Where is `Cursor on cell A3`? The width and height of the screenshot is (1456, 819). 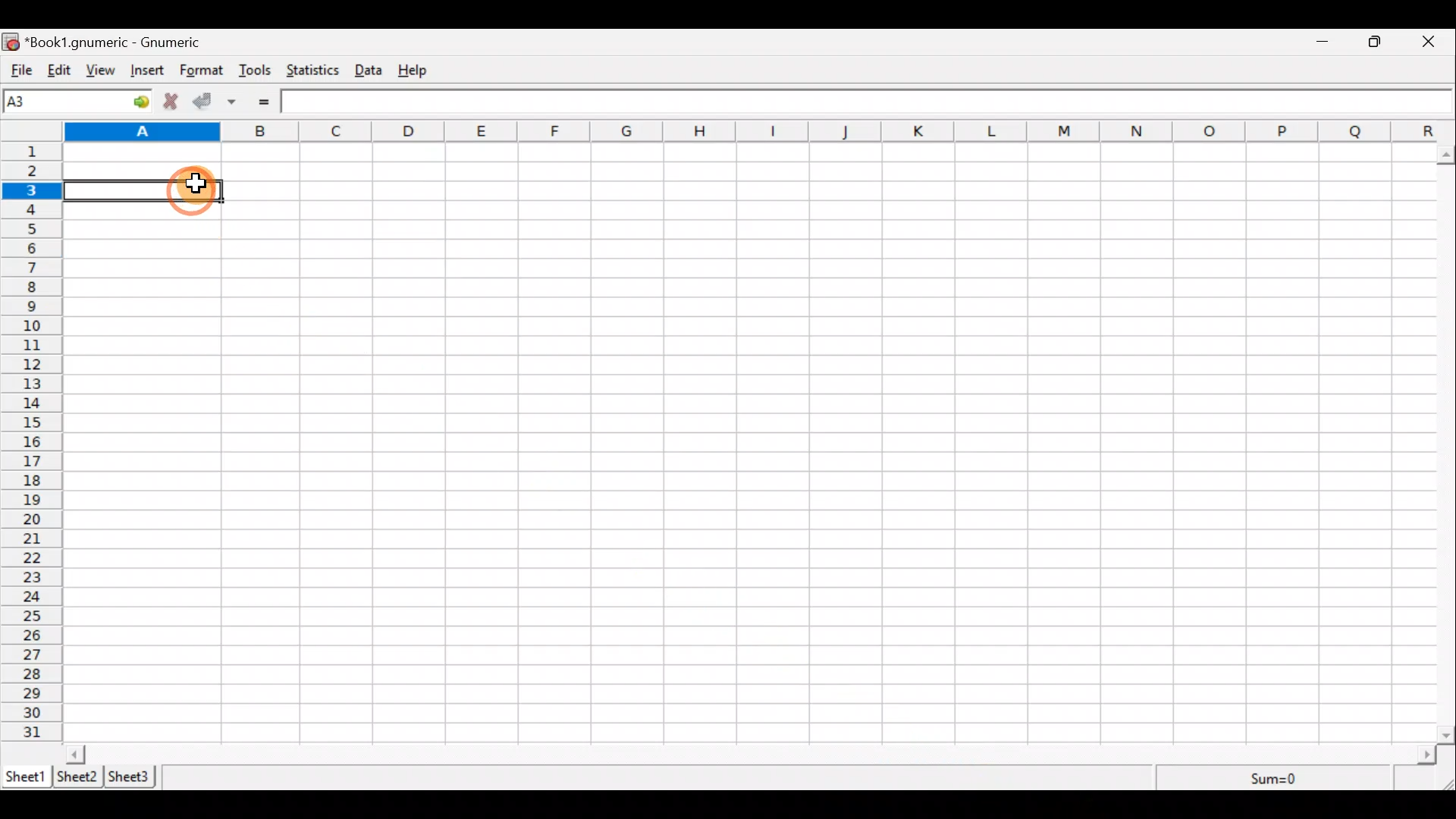 Cursor on cell A3 is located at coordinates (194, 190).